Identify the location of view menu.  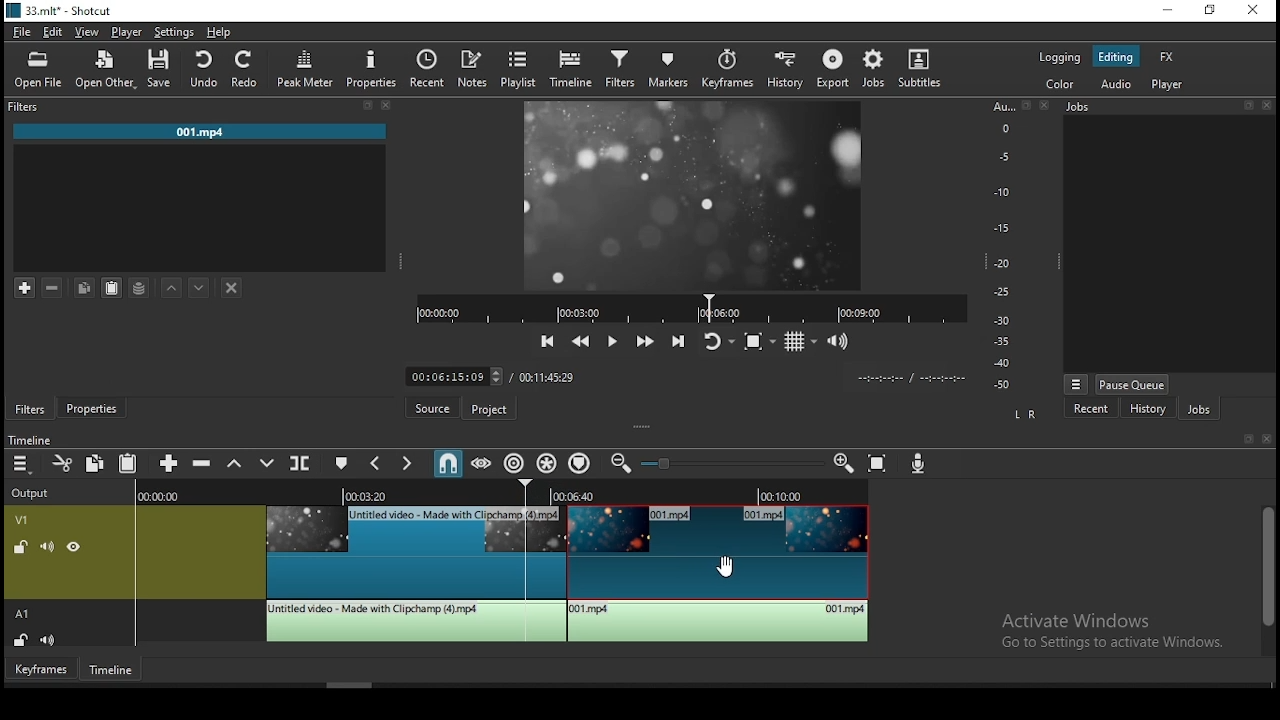
(1076, 381).